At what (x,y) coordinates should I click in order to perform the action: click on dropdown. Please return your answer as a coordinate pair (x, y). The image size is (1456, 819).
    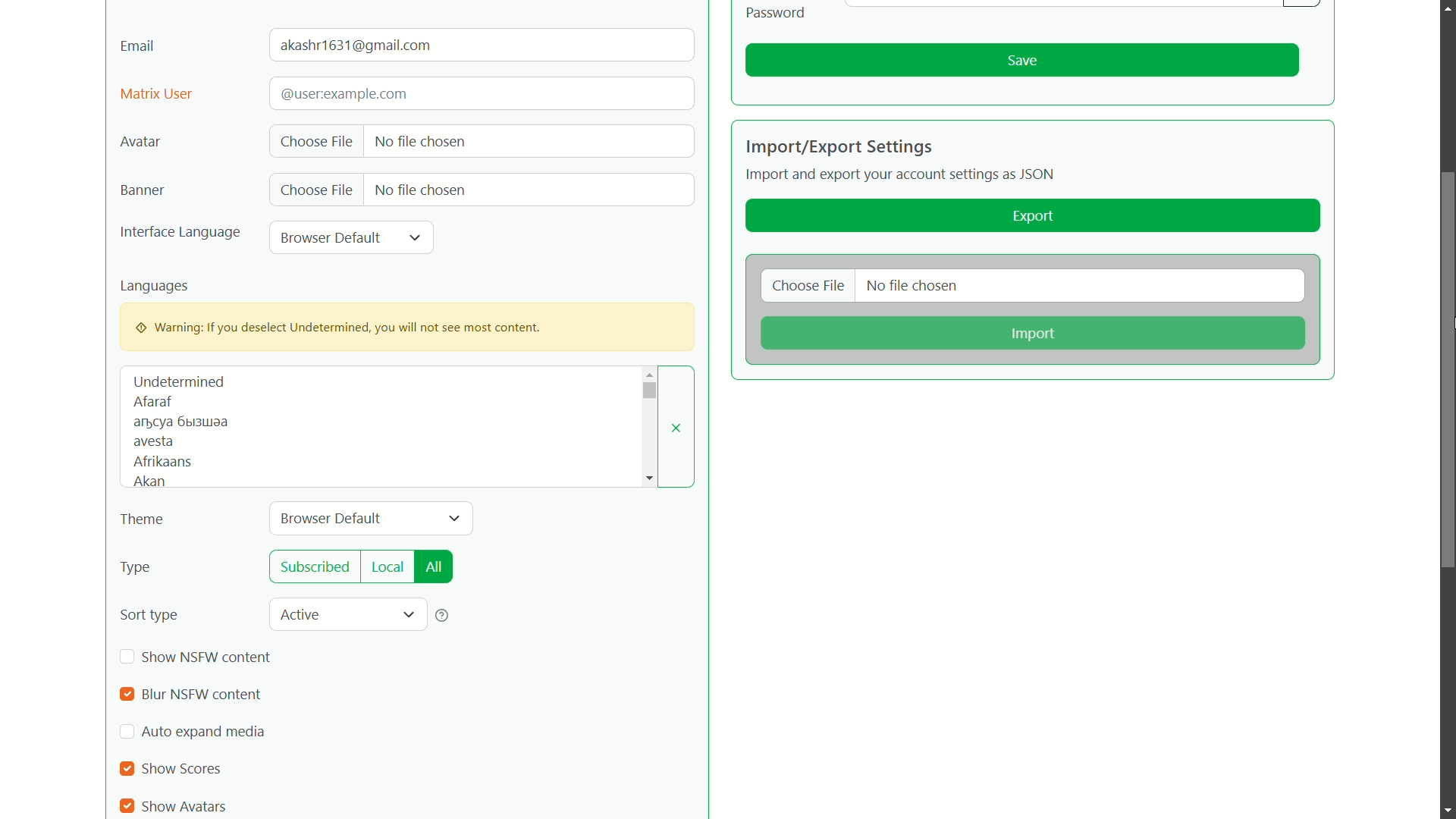
    Looking at the image, I should click on (454, 519).